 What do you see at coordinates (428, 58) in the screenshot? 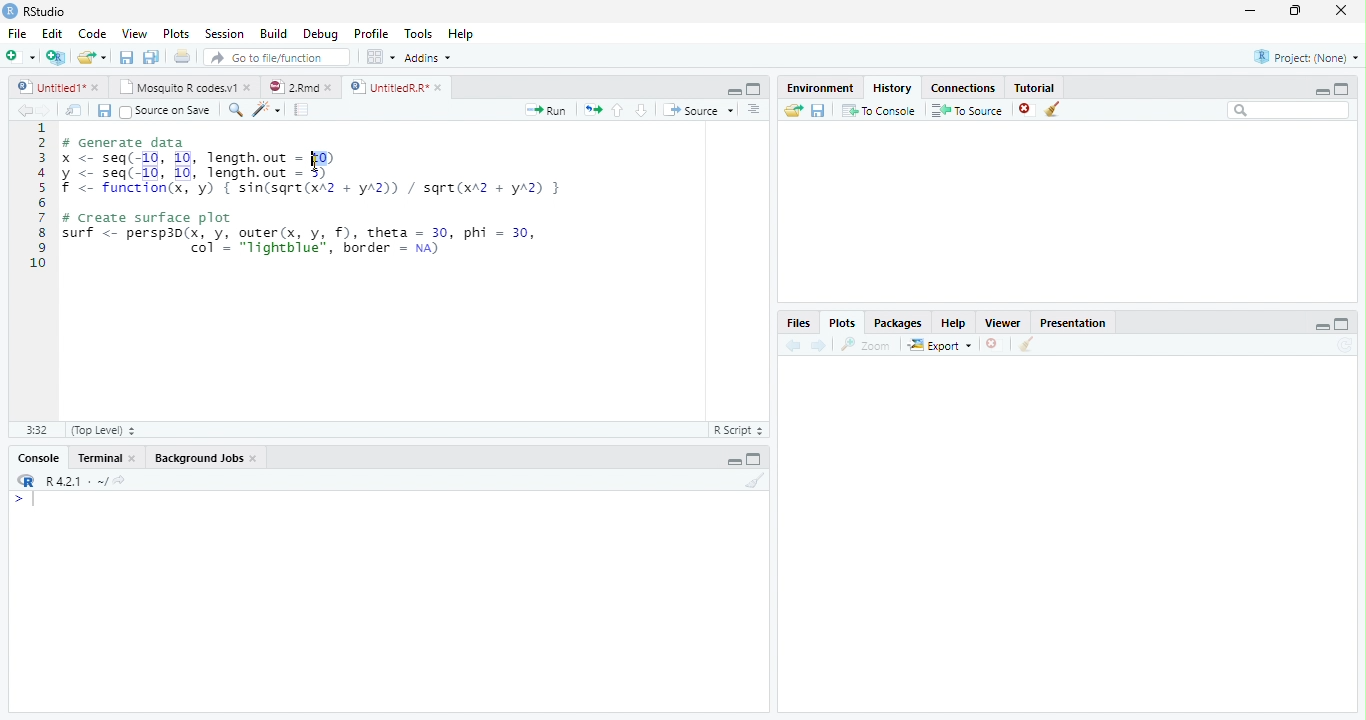
I see `Addins` at bounding box center [428, 58].